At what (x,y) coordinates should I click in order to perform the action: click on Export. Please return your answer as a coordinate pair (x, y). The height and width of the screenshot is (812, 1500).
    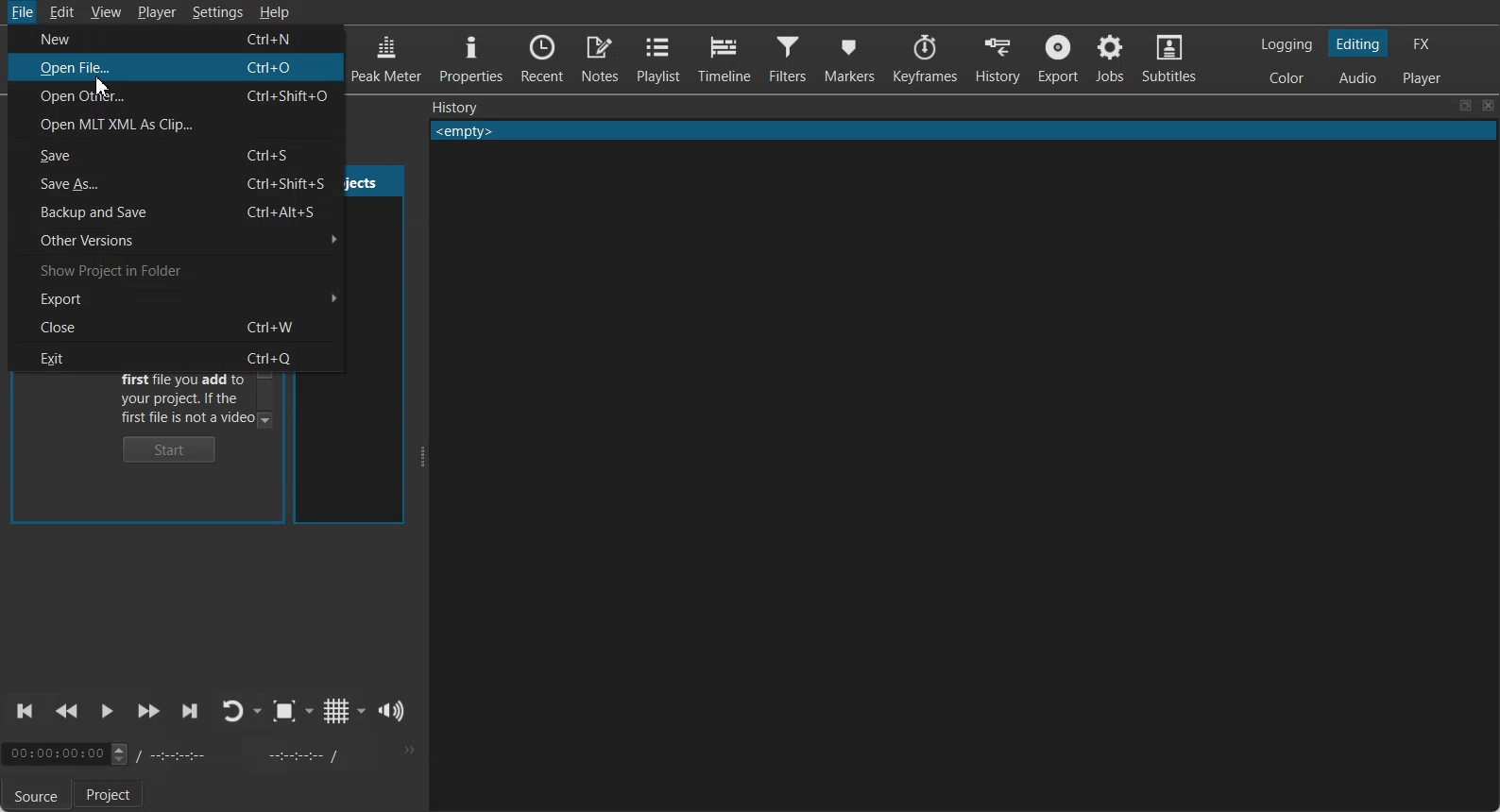
    Looking at the image, I should click on (1057, 58).